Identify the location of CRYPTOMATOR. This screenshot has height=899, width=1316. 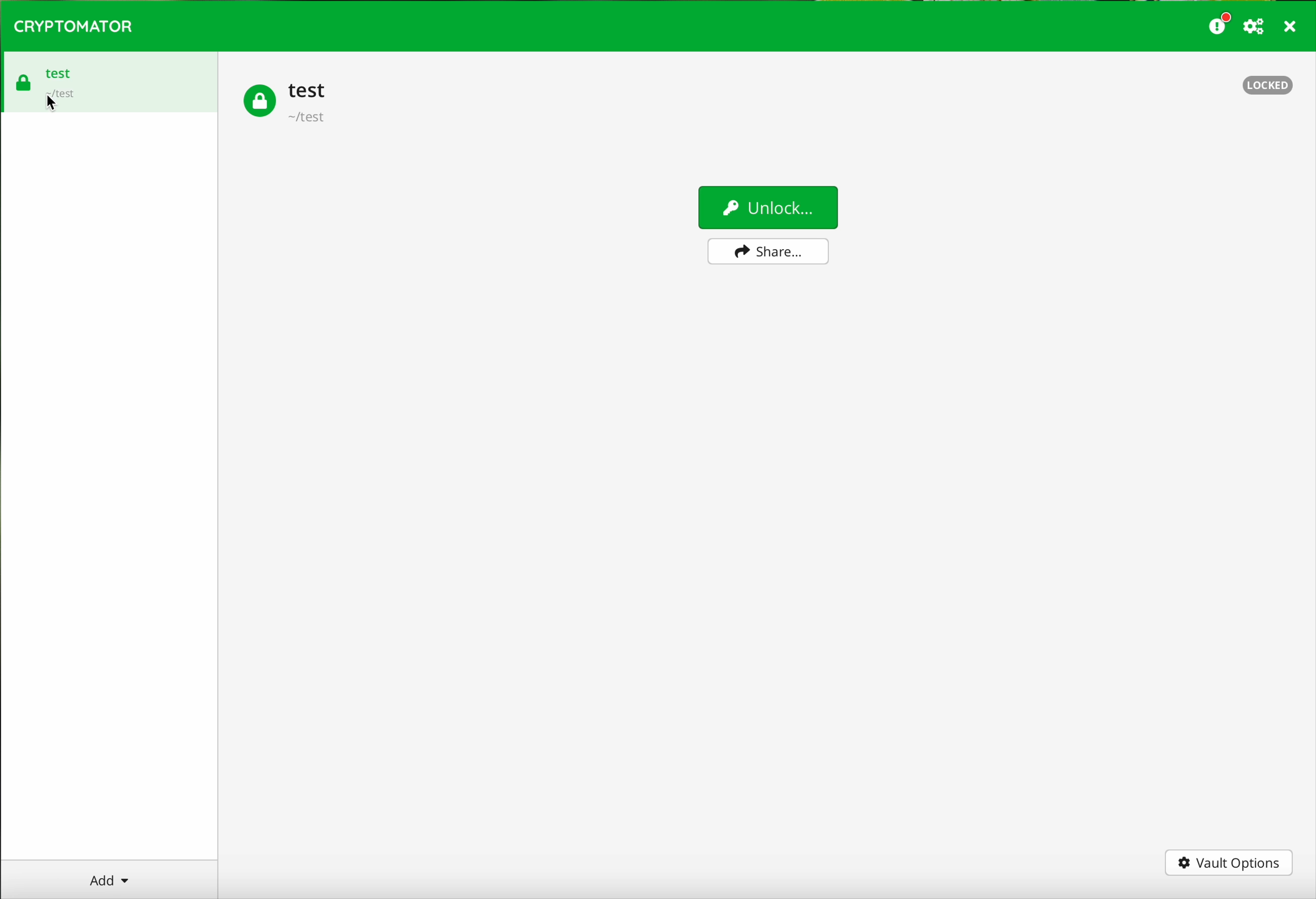
(73, 24).